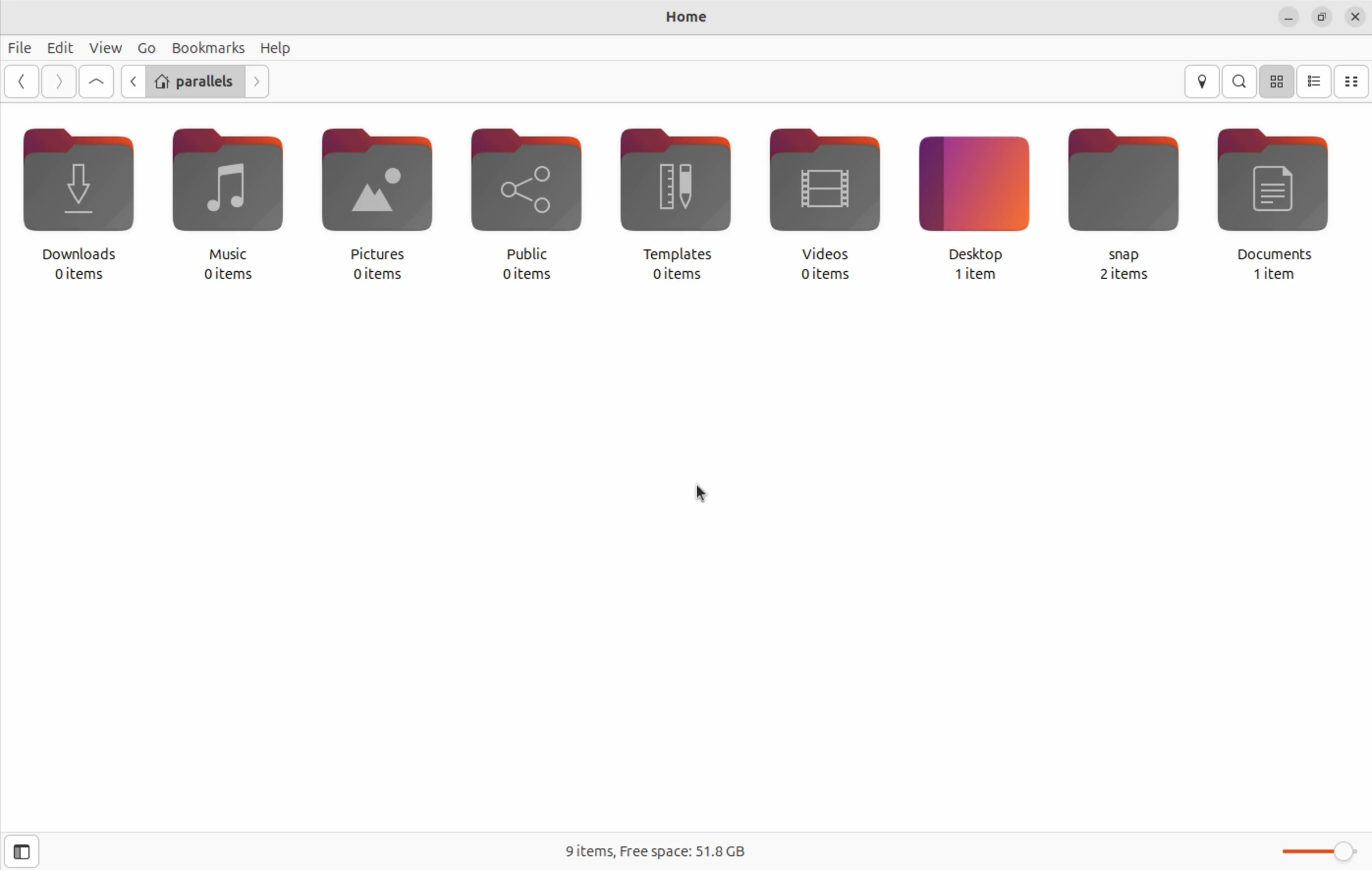 This screenshot has width=1372, height=870. I want to click on home, so click(690, 16).